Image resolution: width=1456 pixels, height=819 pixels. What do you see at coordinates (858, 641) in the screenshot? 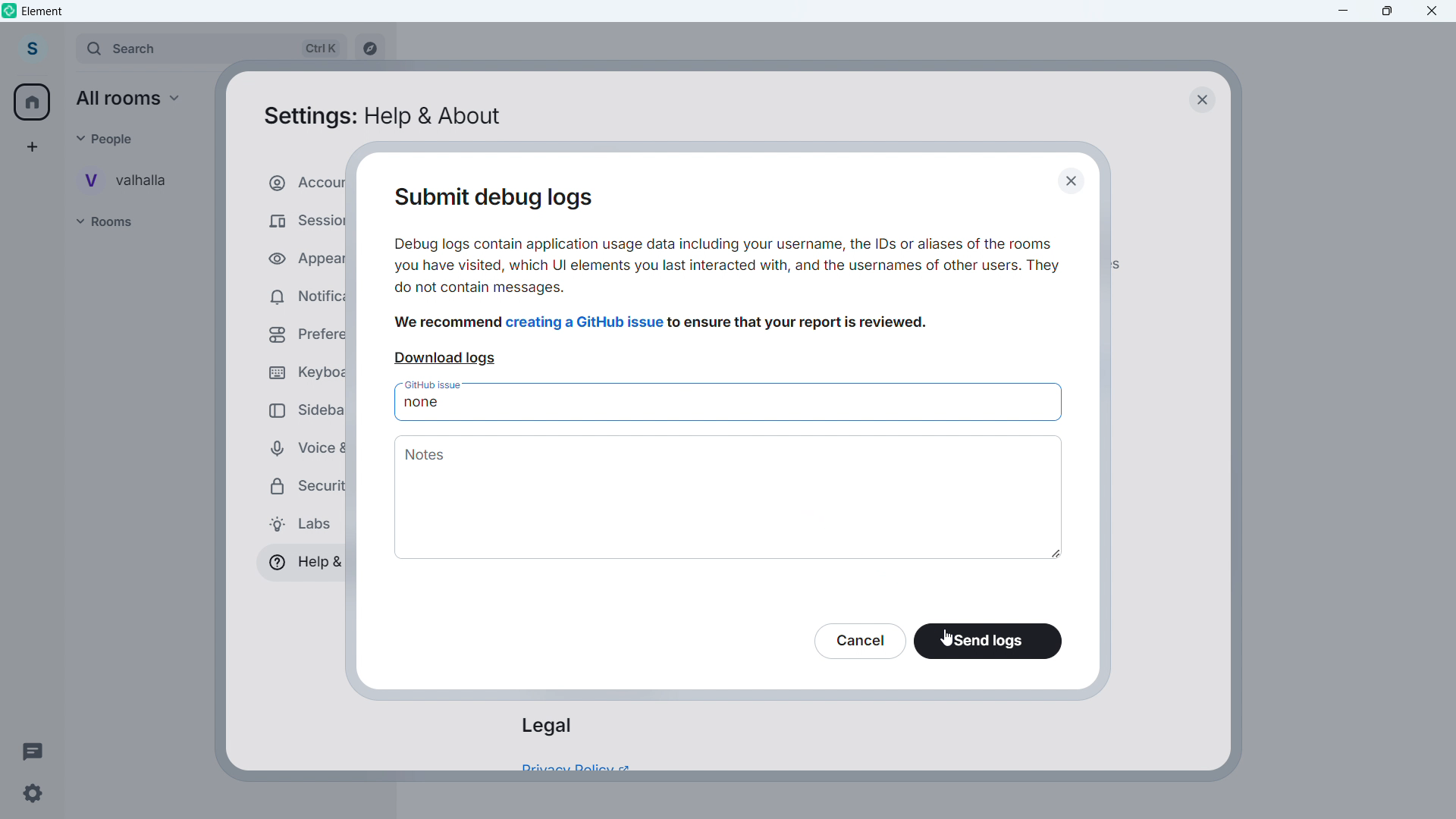
I see `Cancel ` at bounding box center [858, 641].